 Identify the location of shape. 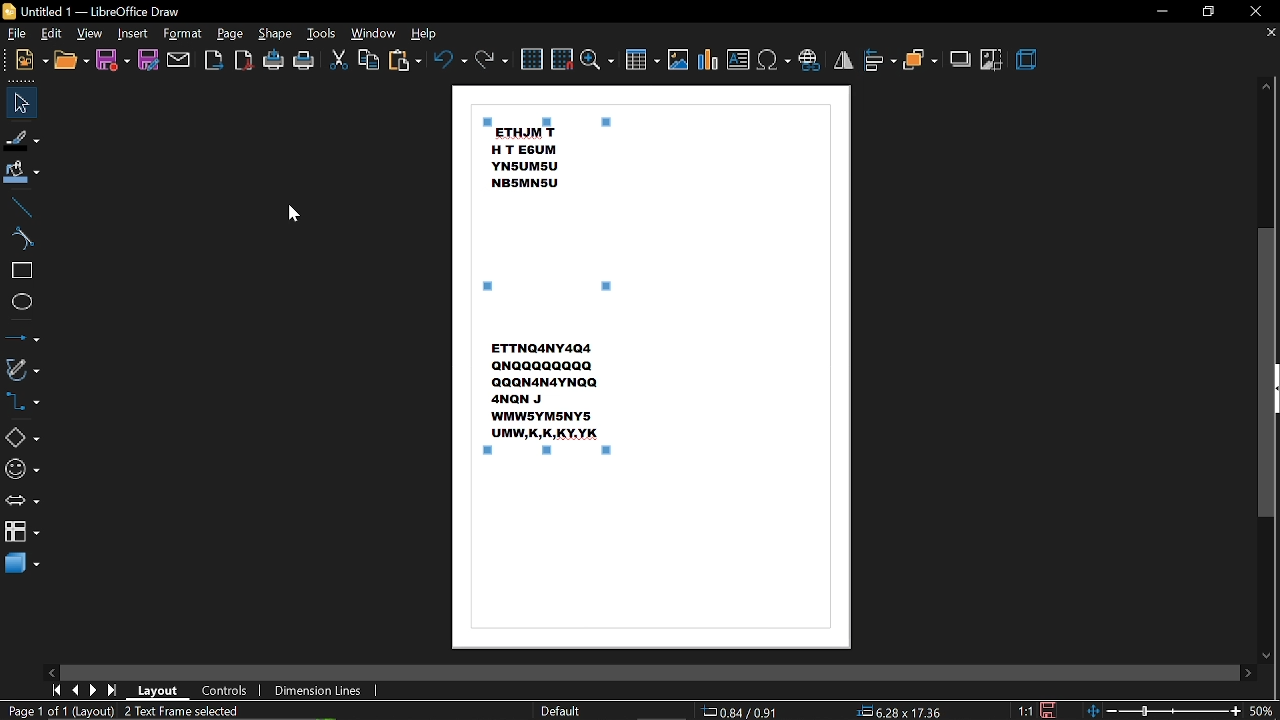
(274, 34).